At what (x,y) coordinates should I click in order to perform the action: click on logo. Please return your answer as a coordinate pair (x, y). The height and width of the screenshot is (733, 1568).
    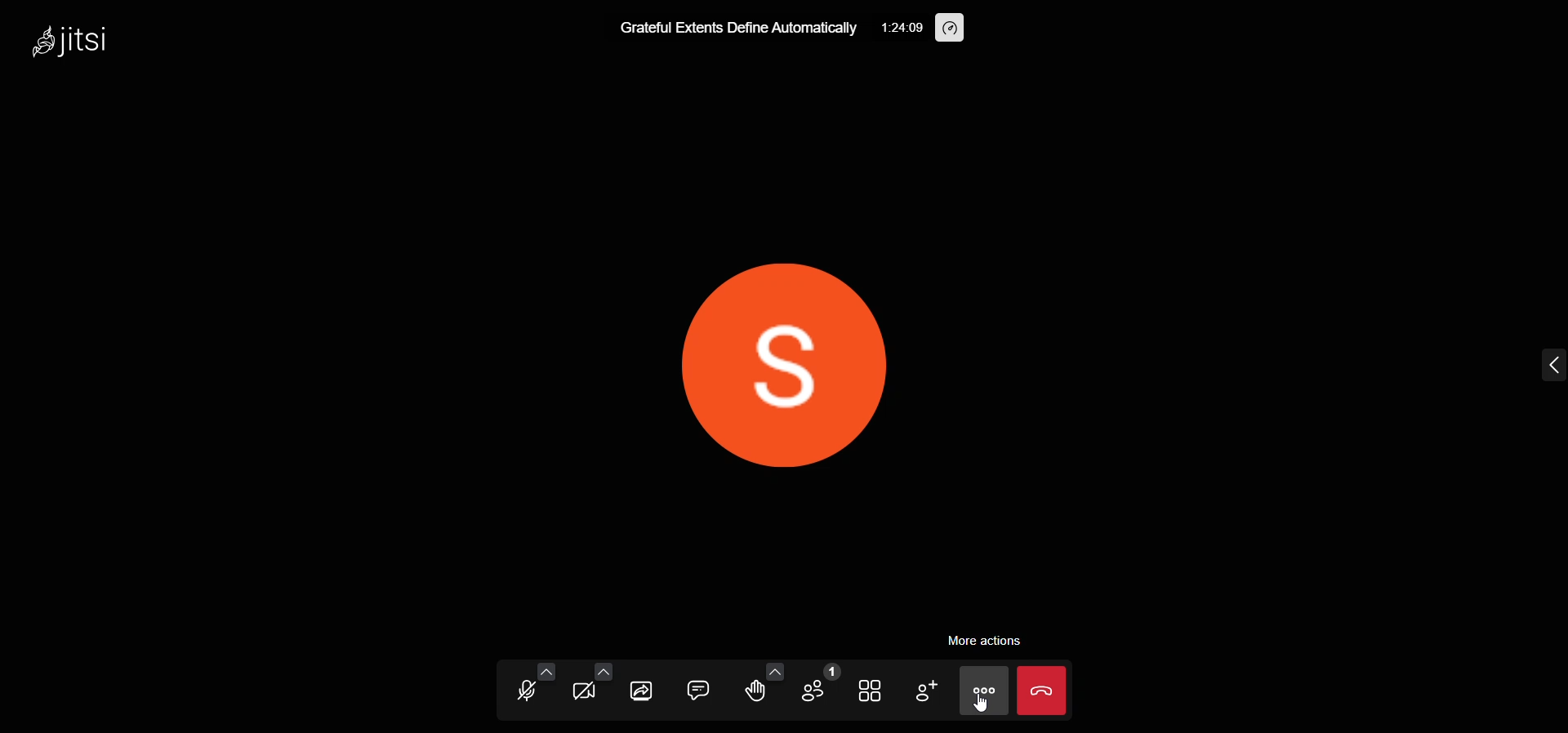
    Looking at the image, I should click on (73, 42).